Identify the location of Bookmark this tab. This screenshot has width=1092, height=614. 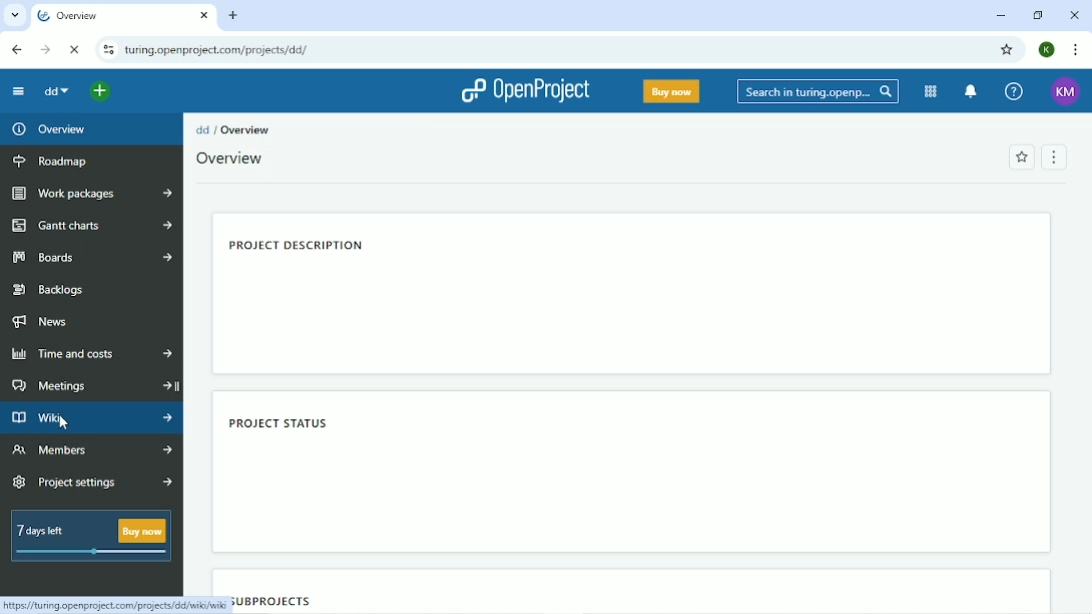
(1009, 50).